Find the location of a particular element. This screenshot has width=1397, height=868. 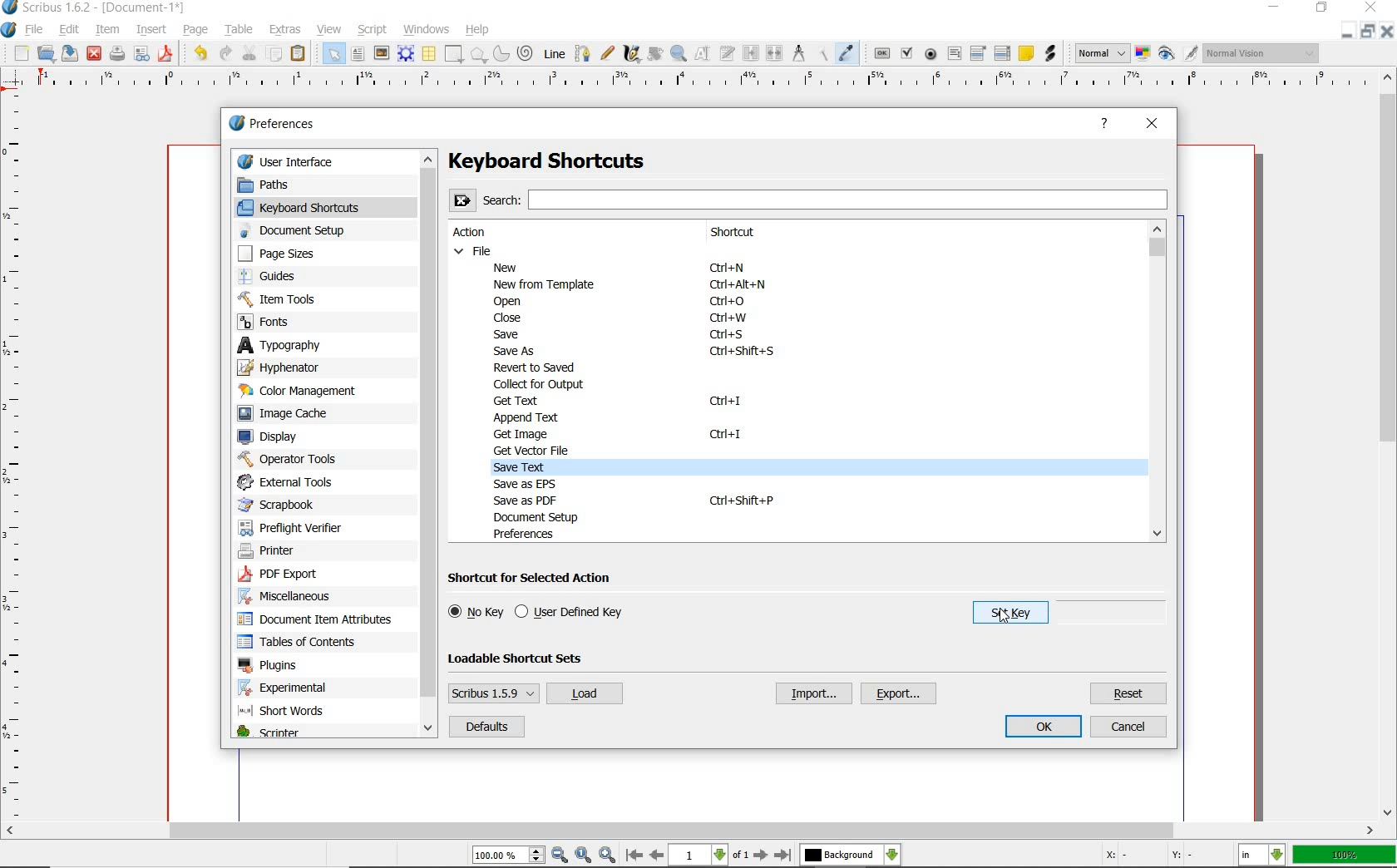

shortcut for selected action is located at coordinates (536, 579).